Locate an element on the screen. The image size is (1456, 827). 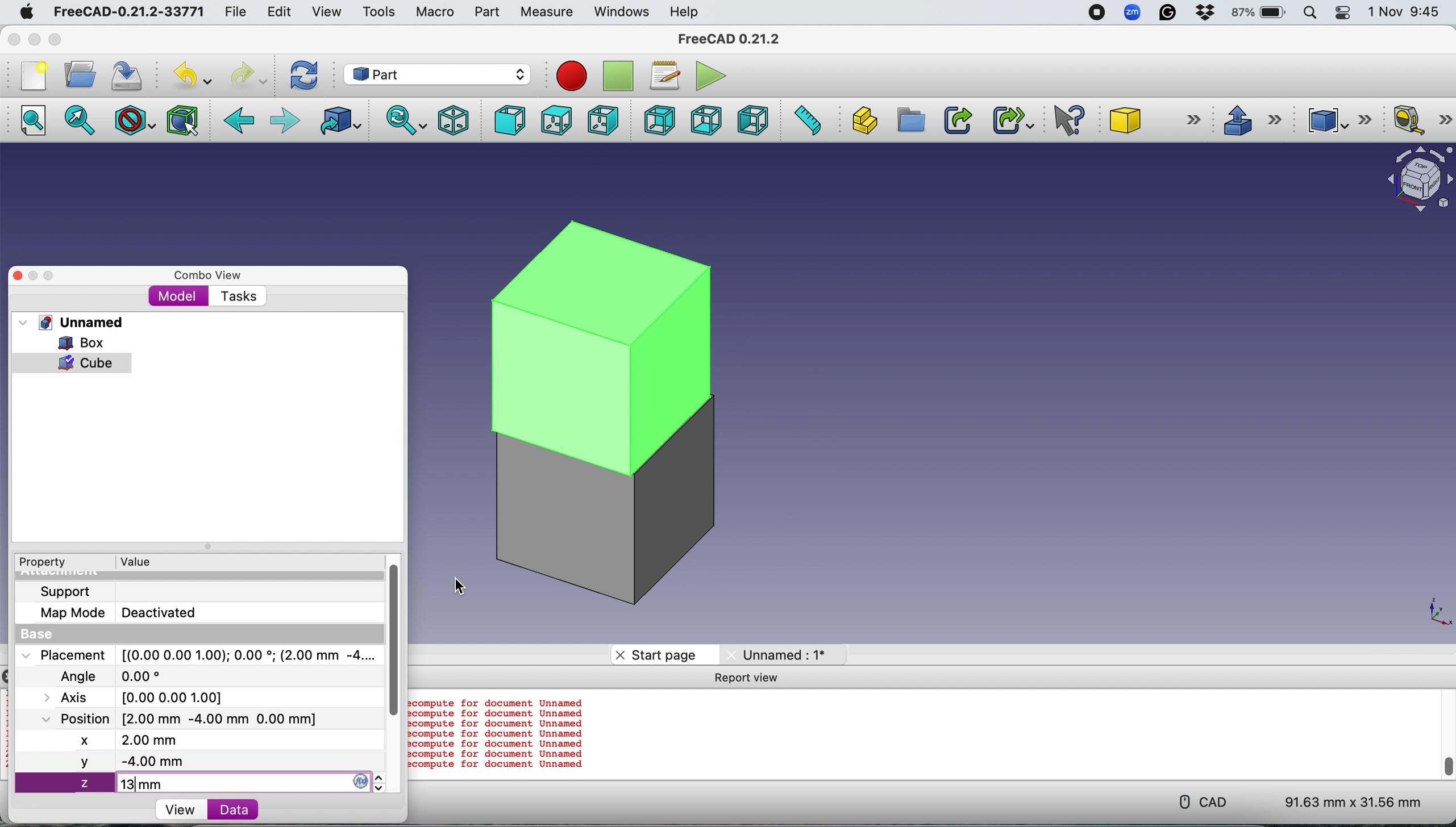
Minimise is located at coordinates (34, 276).